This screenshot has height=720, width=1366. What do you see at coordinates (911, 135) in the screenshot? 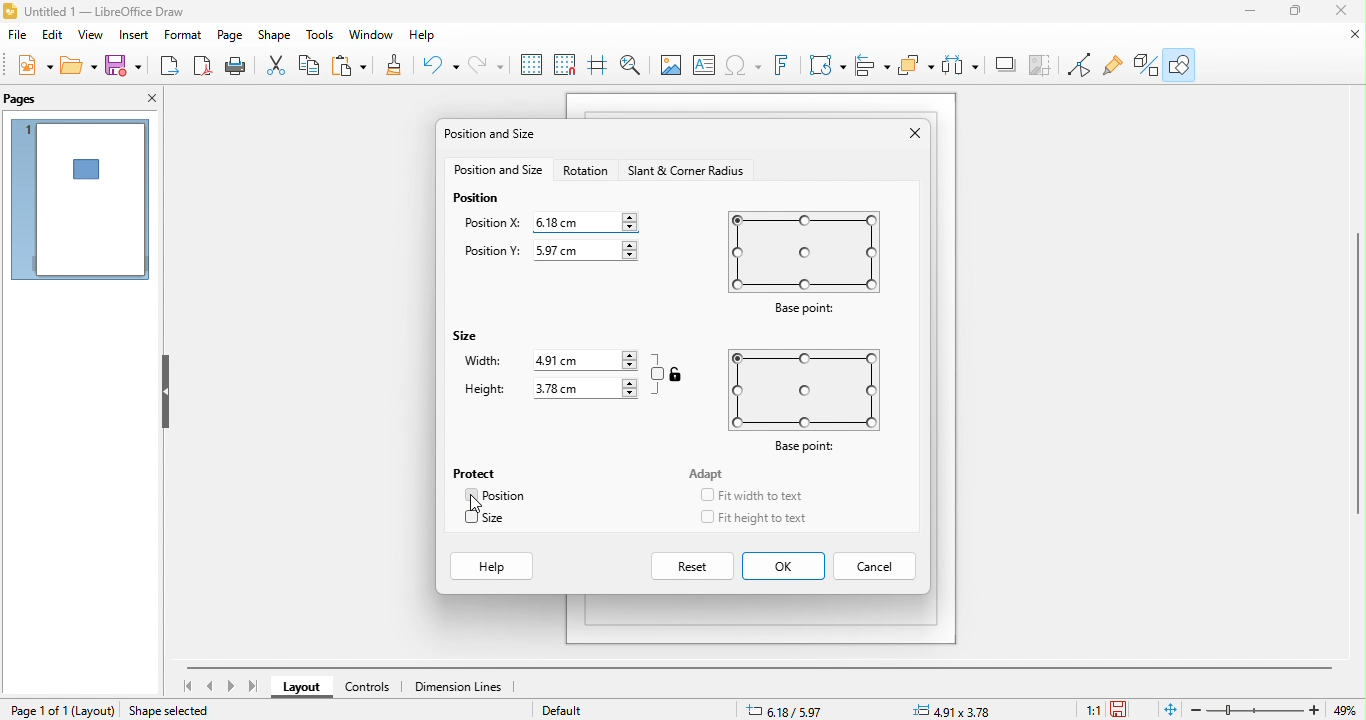
I see `close` at bounding box center [911, 135].